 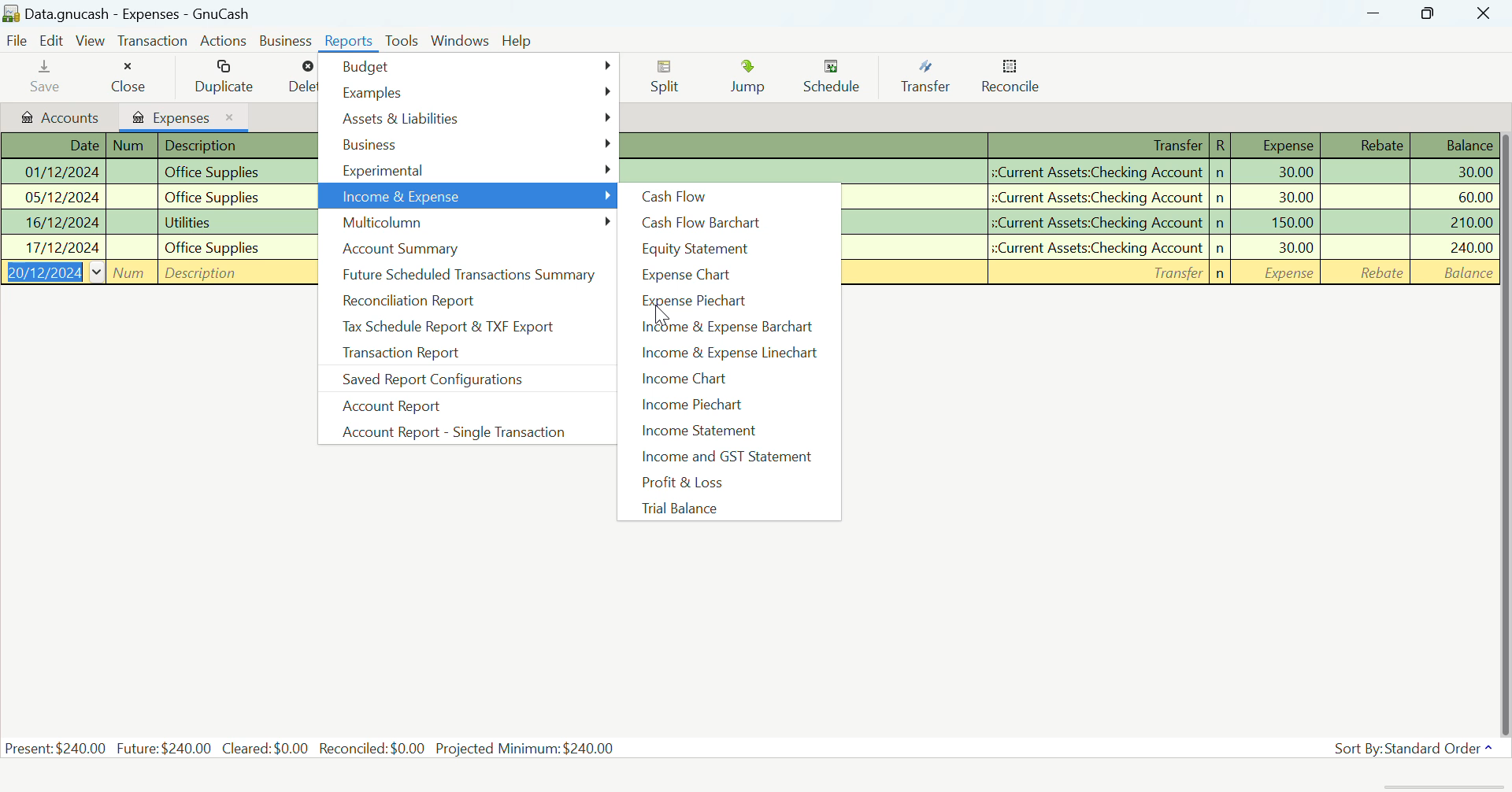 I want to click on Present, so click(x=56, y=748).